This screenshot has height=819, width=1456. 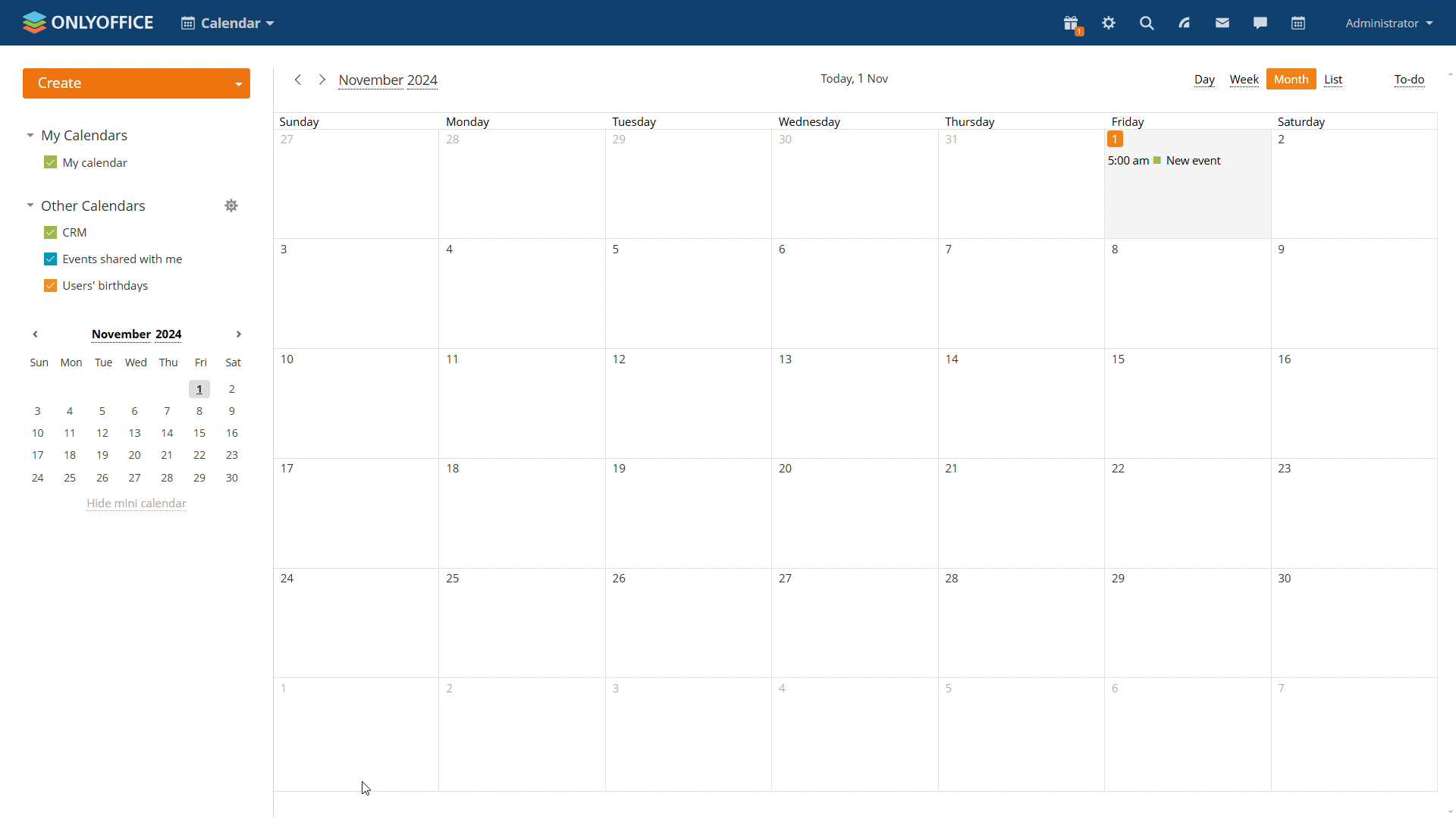 I want to click on current month, so click(x=389, y=82).